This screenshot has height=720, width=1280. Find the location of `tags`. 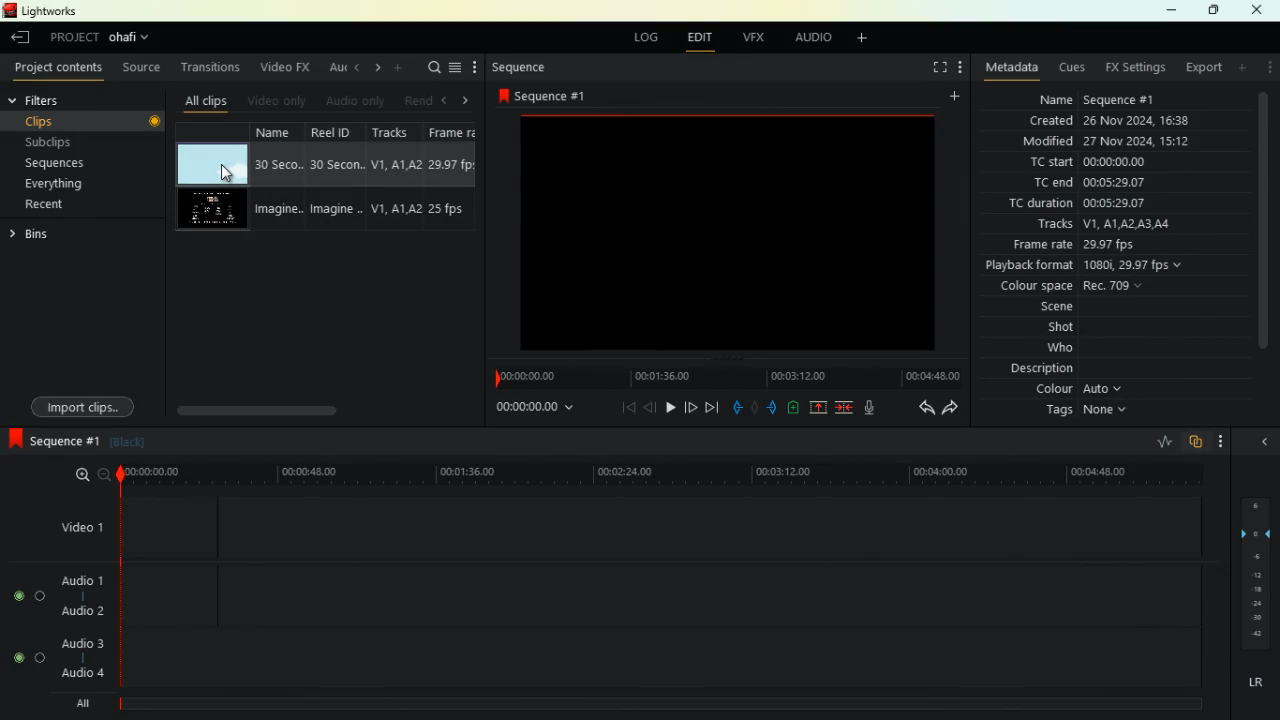

tags is located at coordinates (1081, 412).